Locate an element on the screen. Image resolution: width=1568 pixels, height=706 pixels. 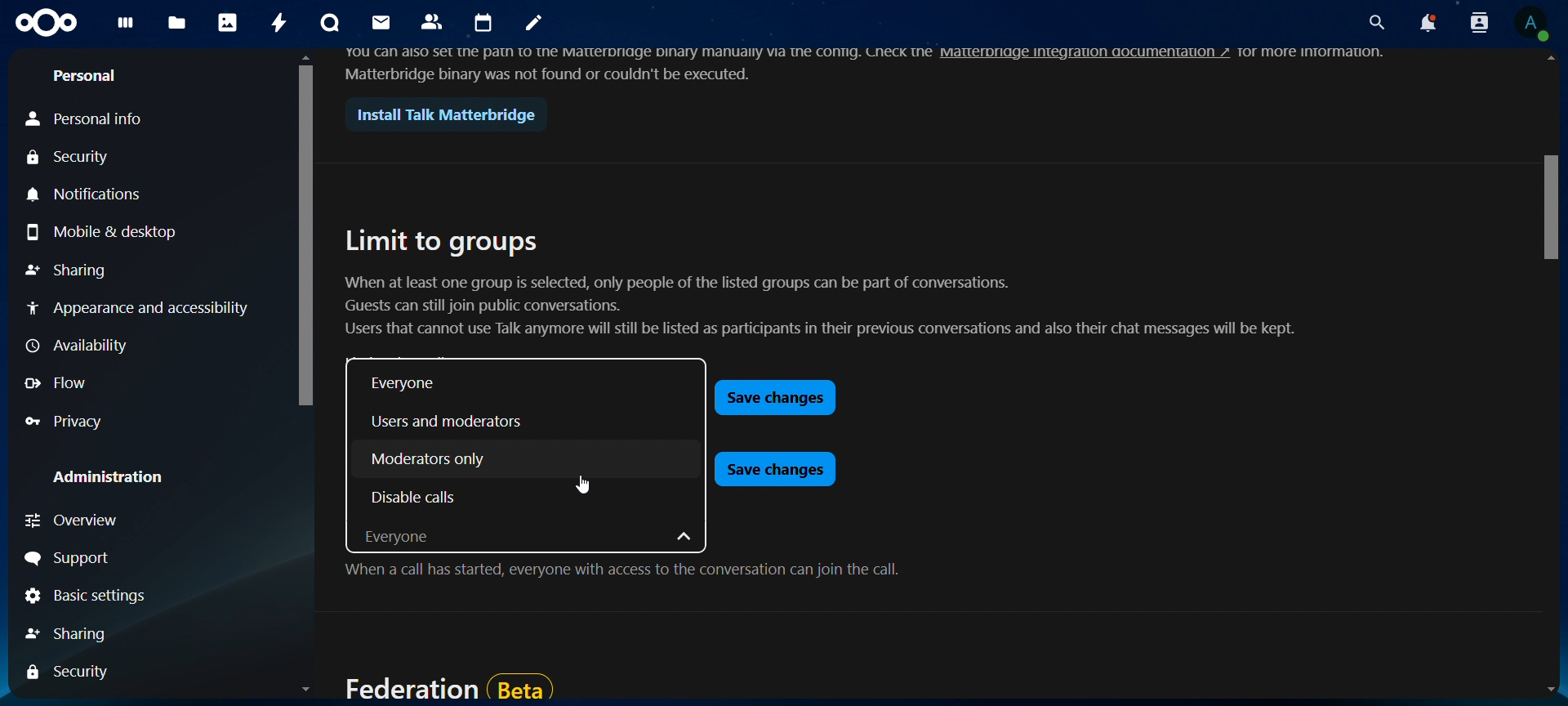
disable calls is located at coordinates (412, 495).